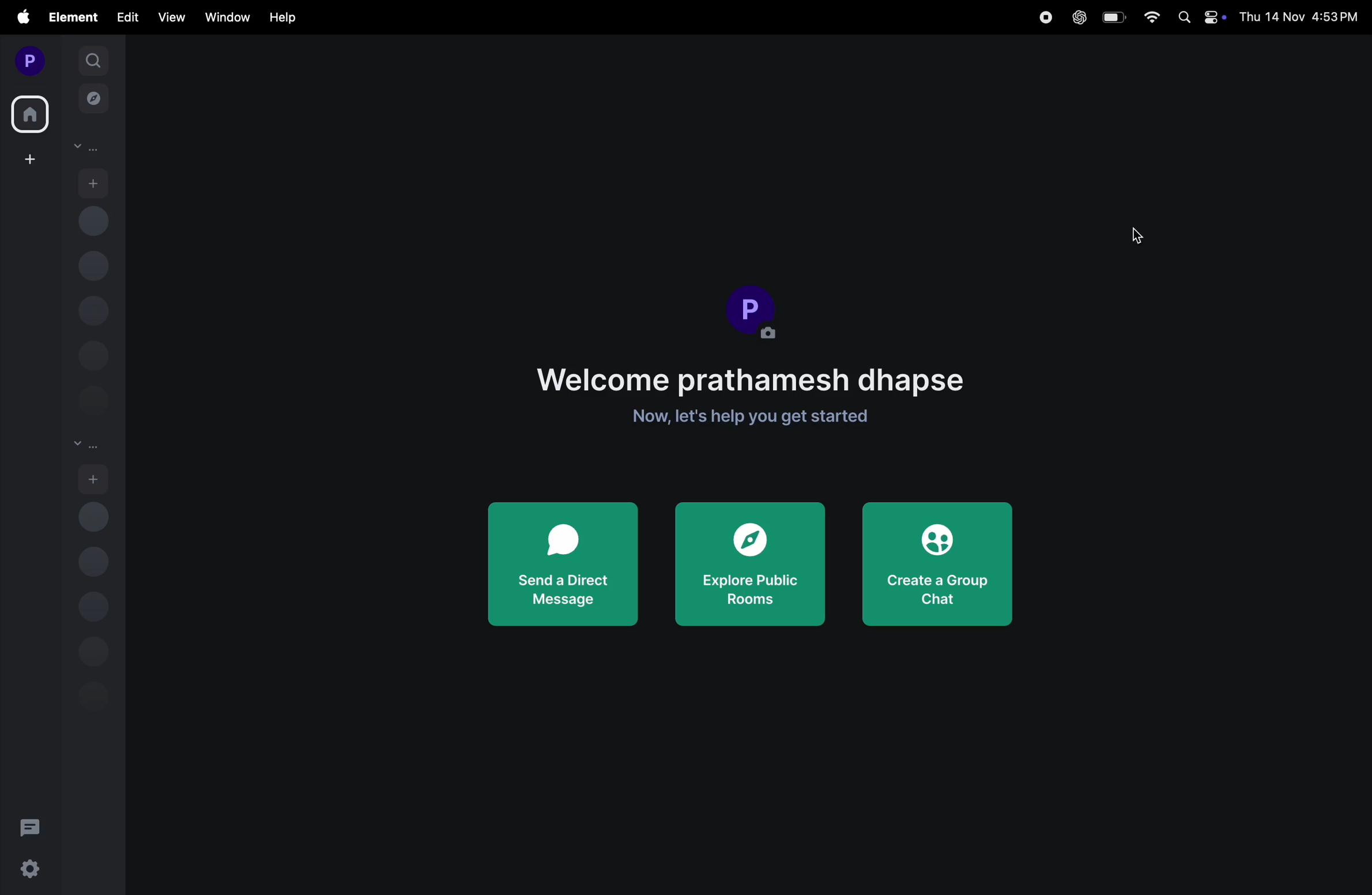 Image resolution: width=1372 pixels, height=895 pixels. Describe the element at coordinates (20, 17) in the screenshot. I see `apple menu` at that location.